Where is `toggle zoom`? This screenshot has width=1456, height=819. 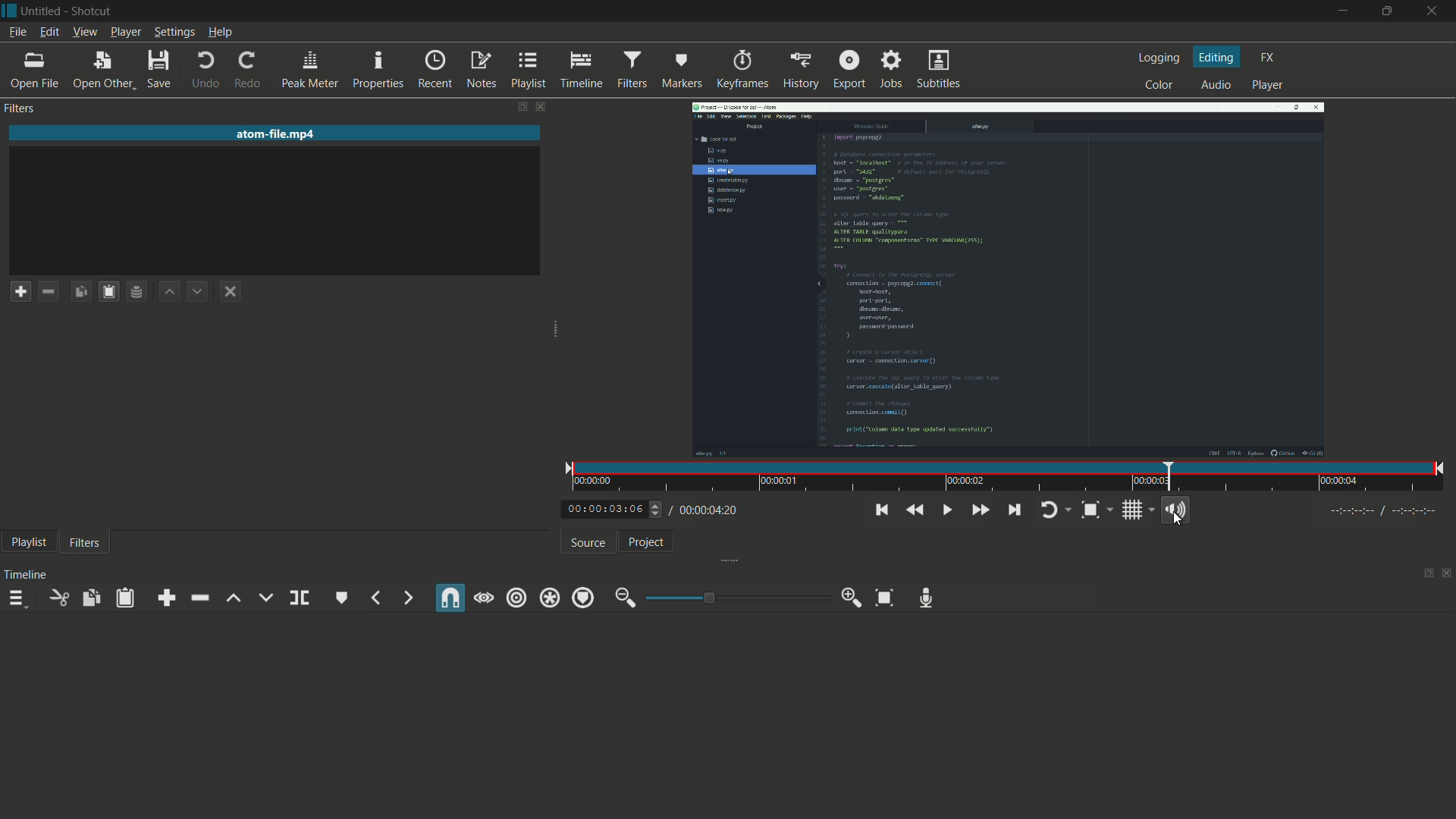
toggle zoom is located at coordinates (1089, 510).